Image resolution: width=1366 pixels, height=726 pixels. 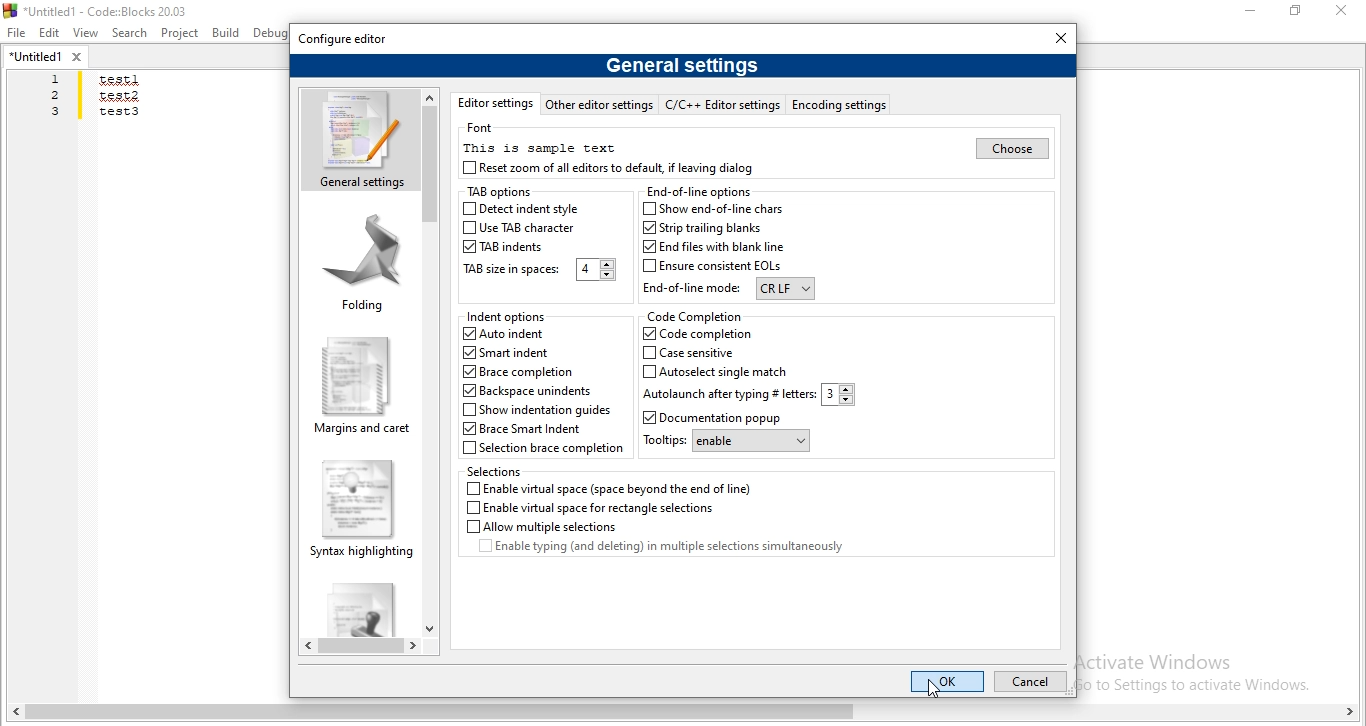 What do you see at coordinates (471, 333) in the screenshot?
I see `checked` at bounding box center [471, 333].